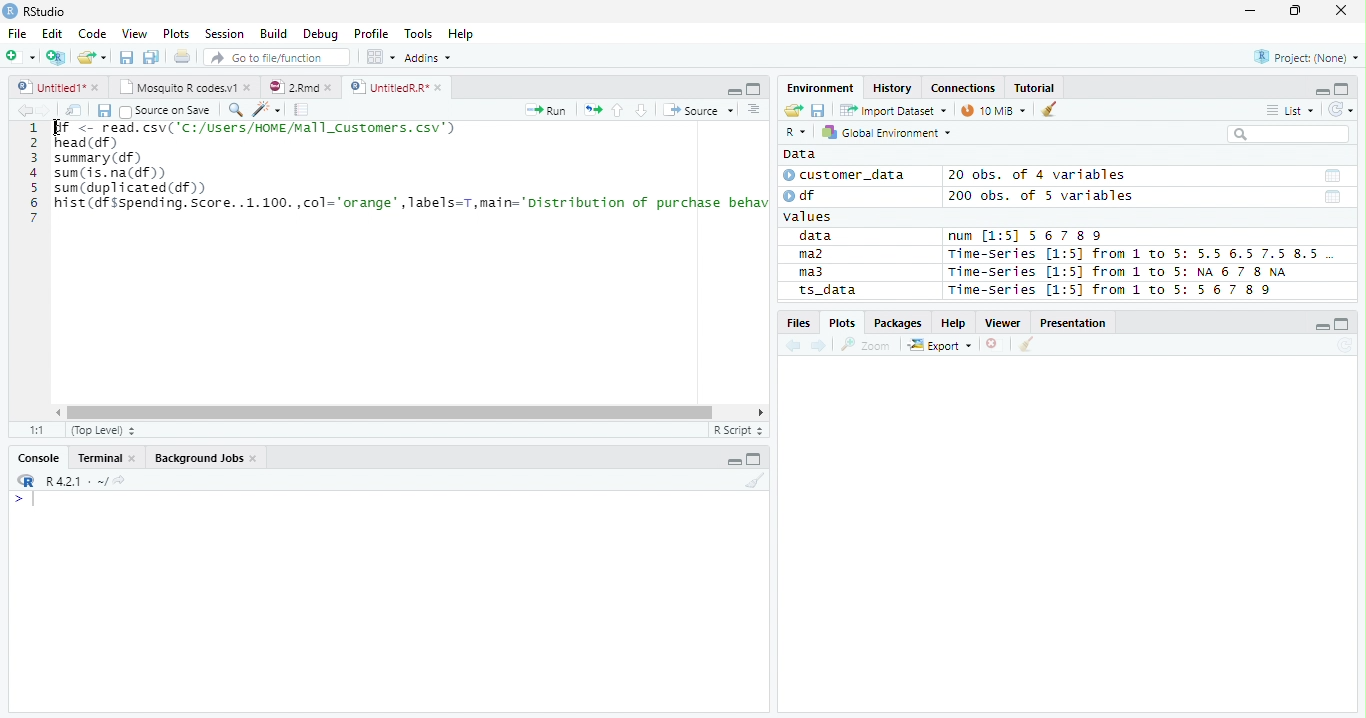 Image resolution: width=1366 pixels, height=718 pixels. I want to click on Search, so click(1286, 134).